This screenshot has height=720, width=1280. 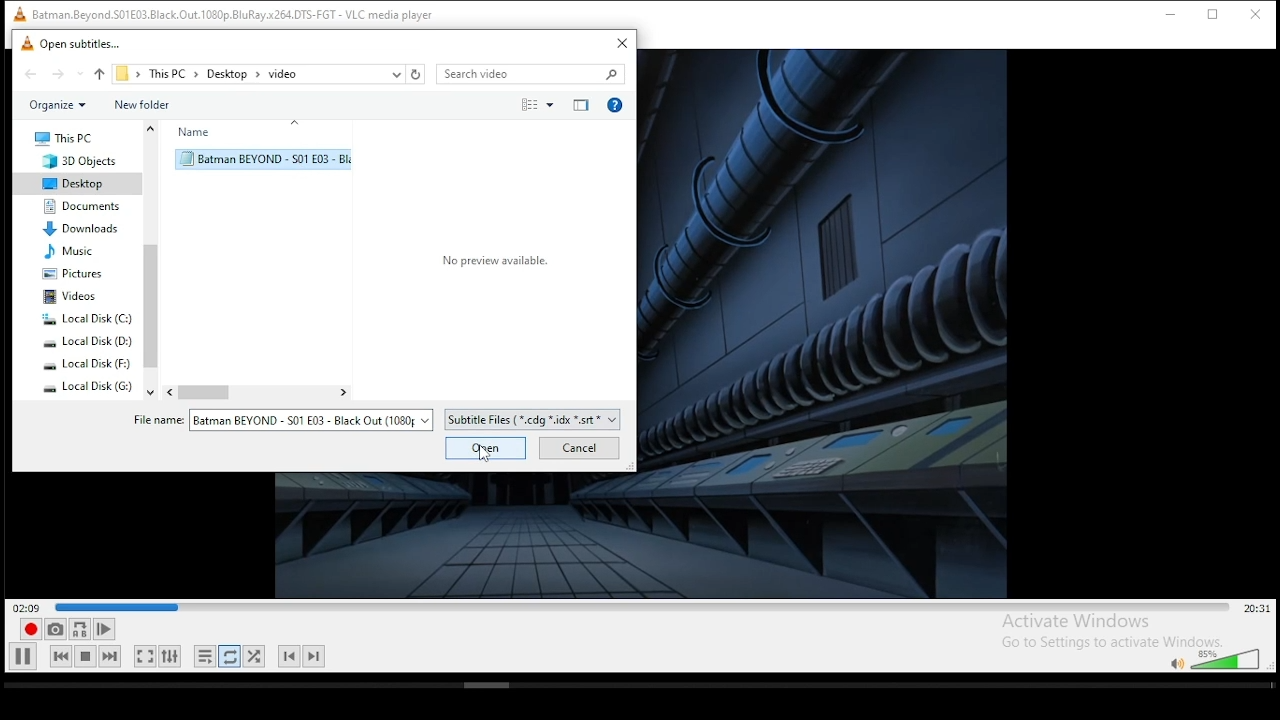 I want to click on name, so click(x=193, y=133).